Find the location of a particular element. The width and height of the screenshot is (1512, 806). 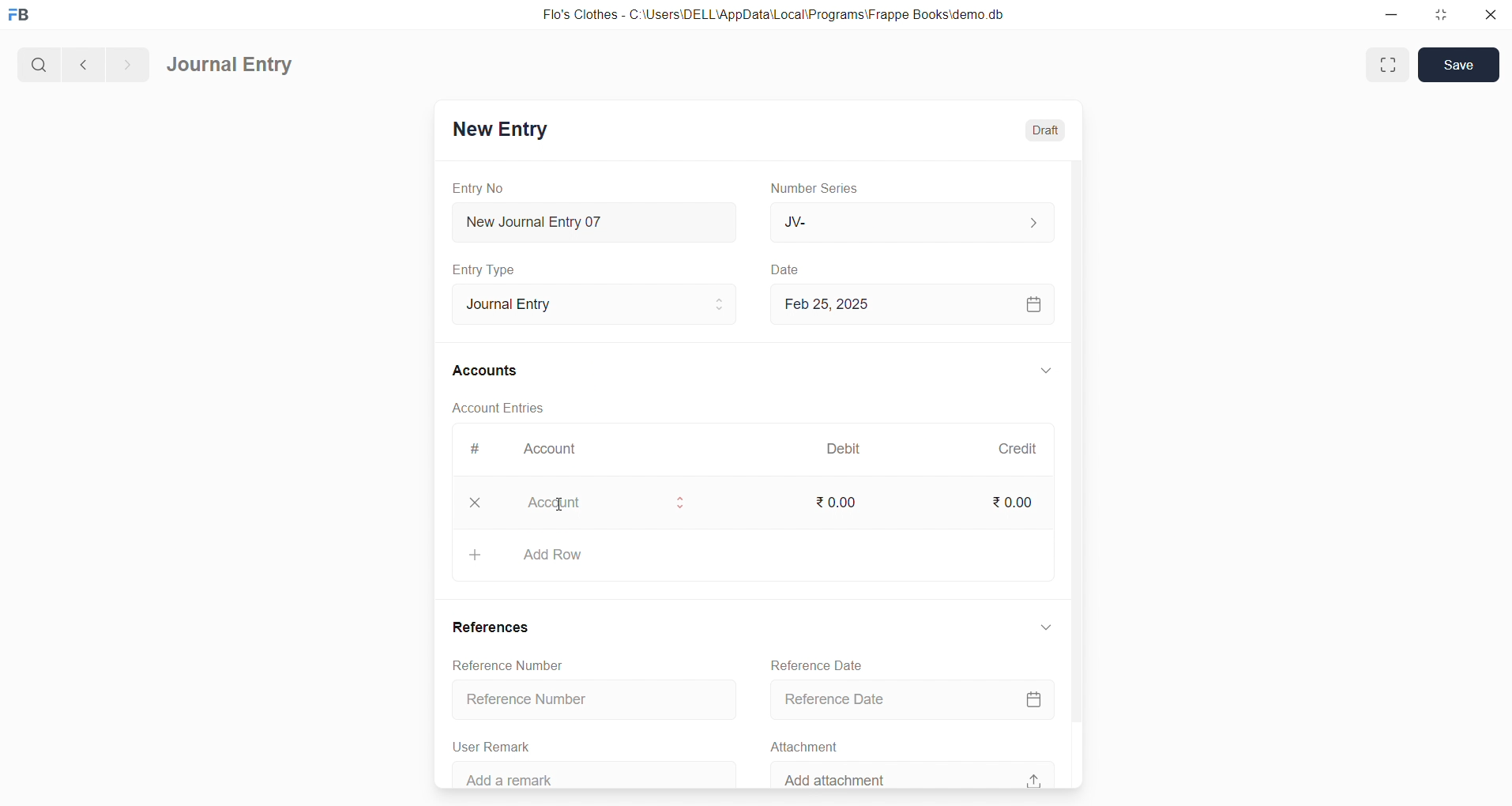

Reference Number is located at coordinates (516, 666).